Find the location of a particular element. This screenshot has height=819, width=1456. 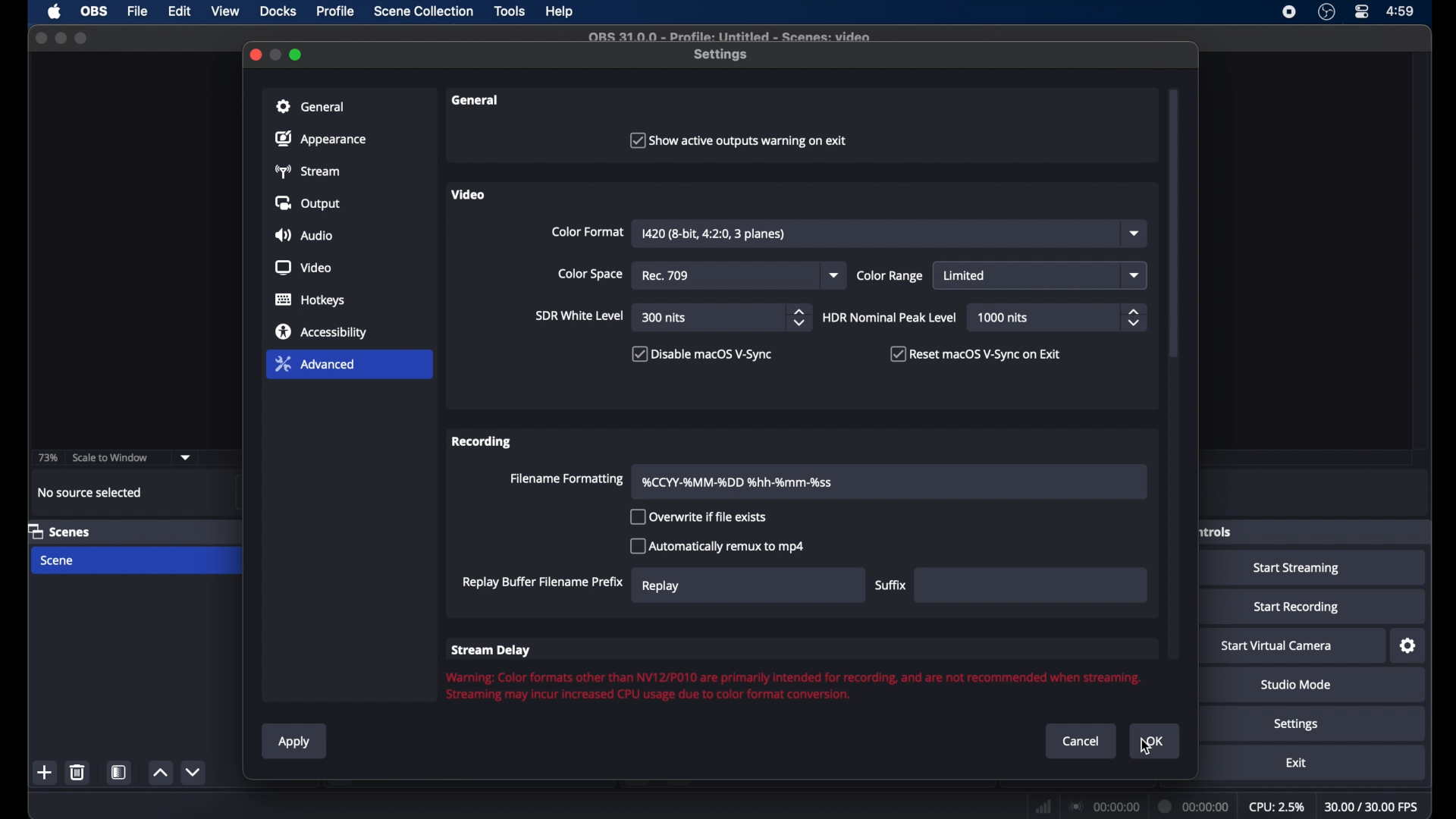

30.00/30.00 fps is located at coordinates (1373, 806).